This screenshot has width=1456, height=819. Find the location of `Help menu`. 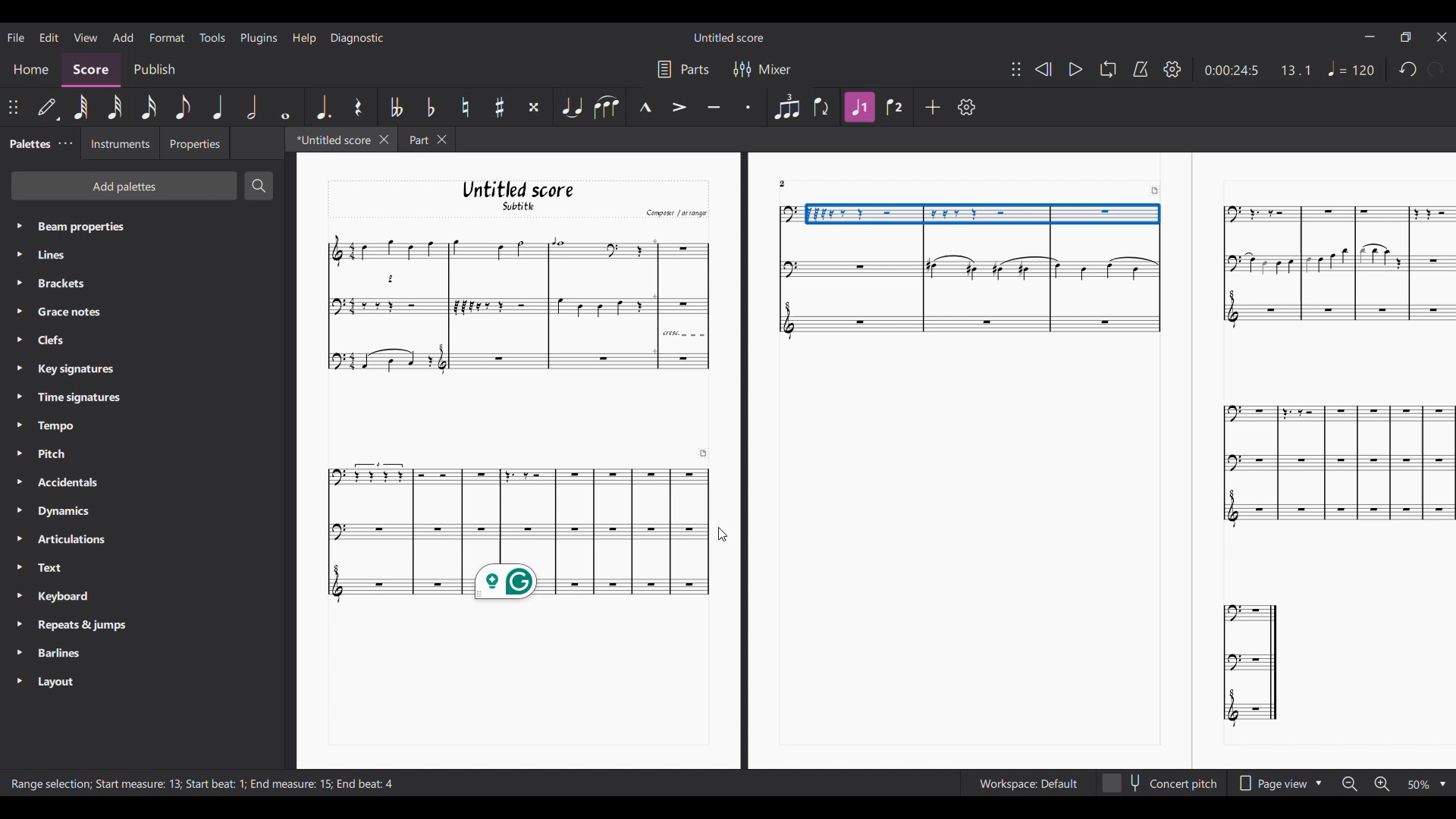

Help menu is located at coordinates (304, 38).